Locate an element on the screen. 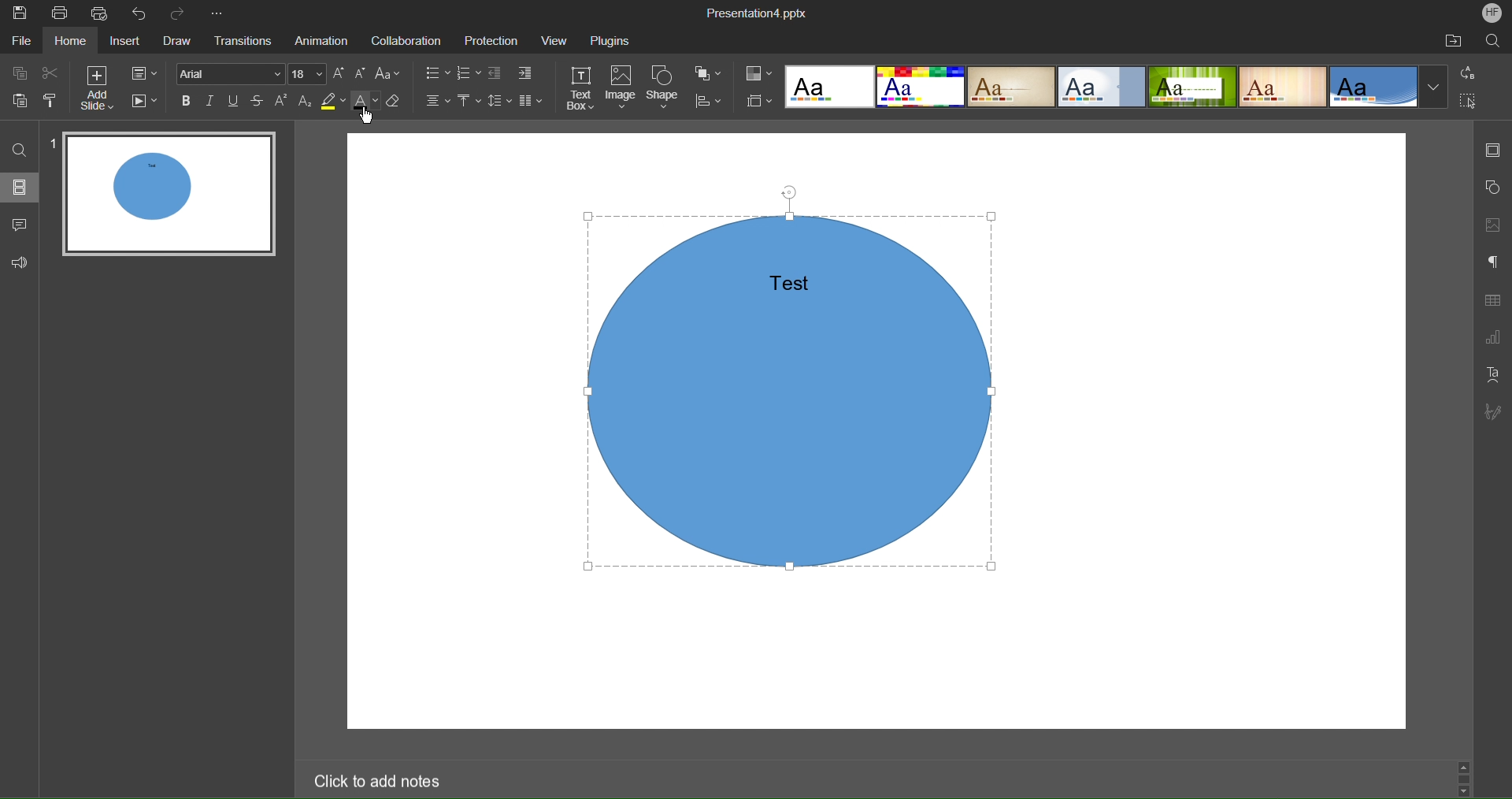 The height and width of the screenshot is (799, 1512). Animation is located at coordinates (319, 40).